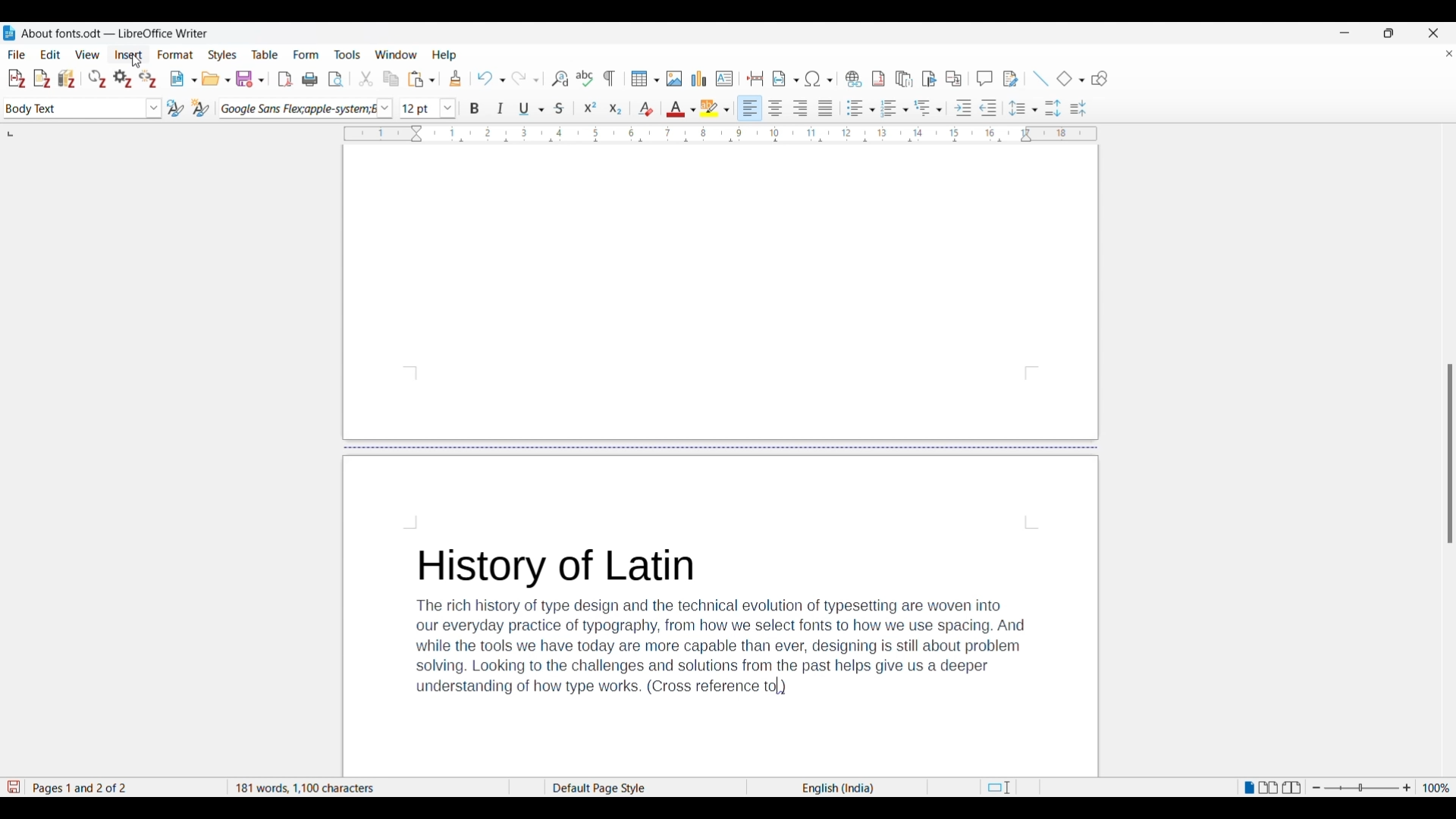 This screenshot has width=1456, height=819. Describe the element at coordinates (1247, 788) in the screenshot. I see `Single page view` at that location.